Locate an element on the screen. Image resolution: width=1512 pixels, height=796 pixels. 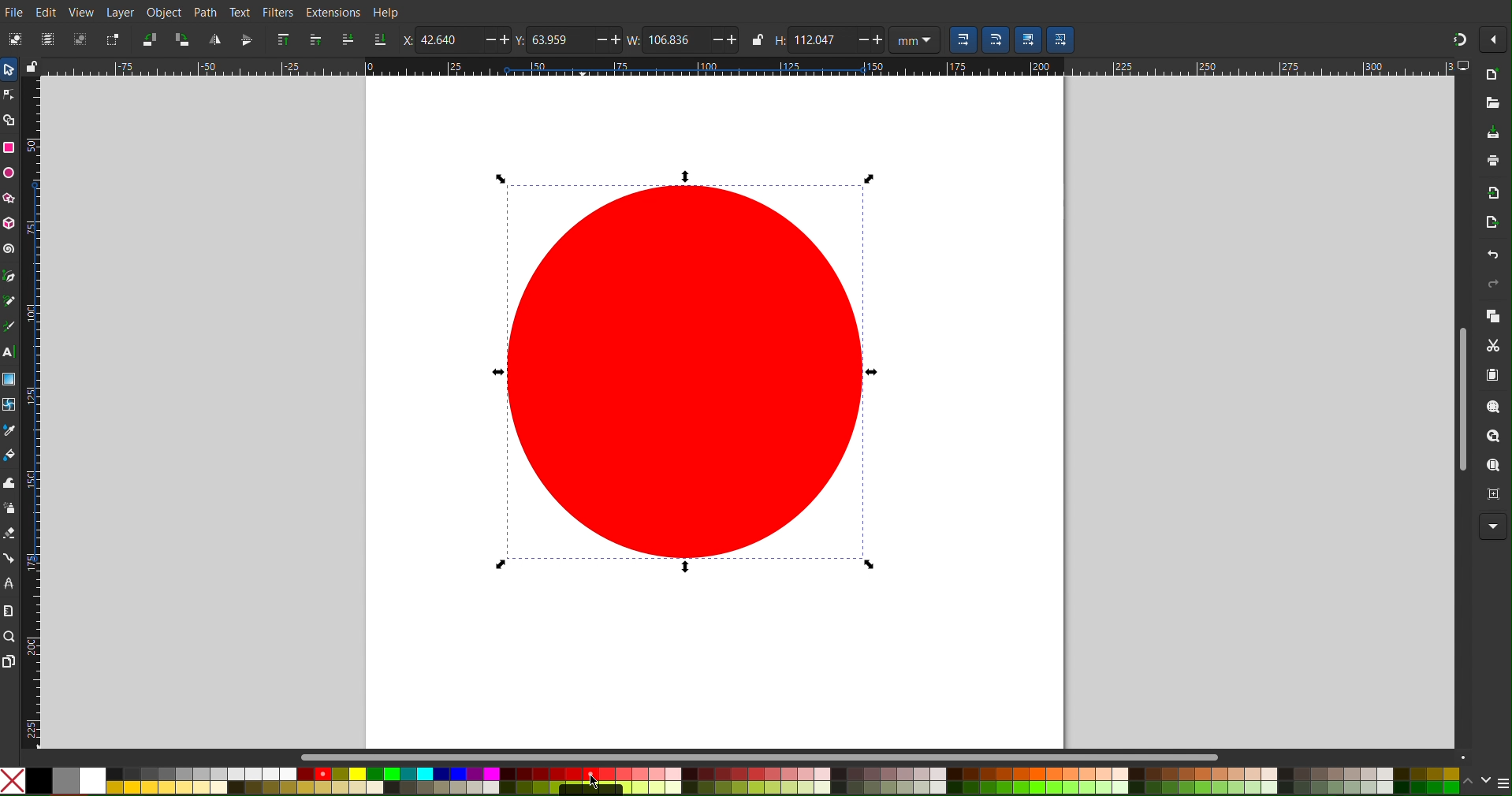
Polygon/Star Tool is located at coordinates (9, 197).